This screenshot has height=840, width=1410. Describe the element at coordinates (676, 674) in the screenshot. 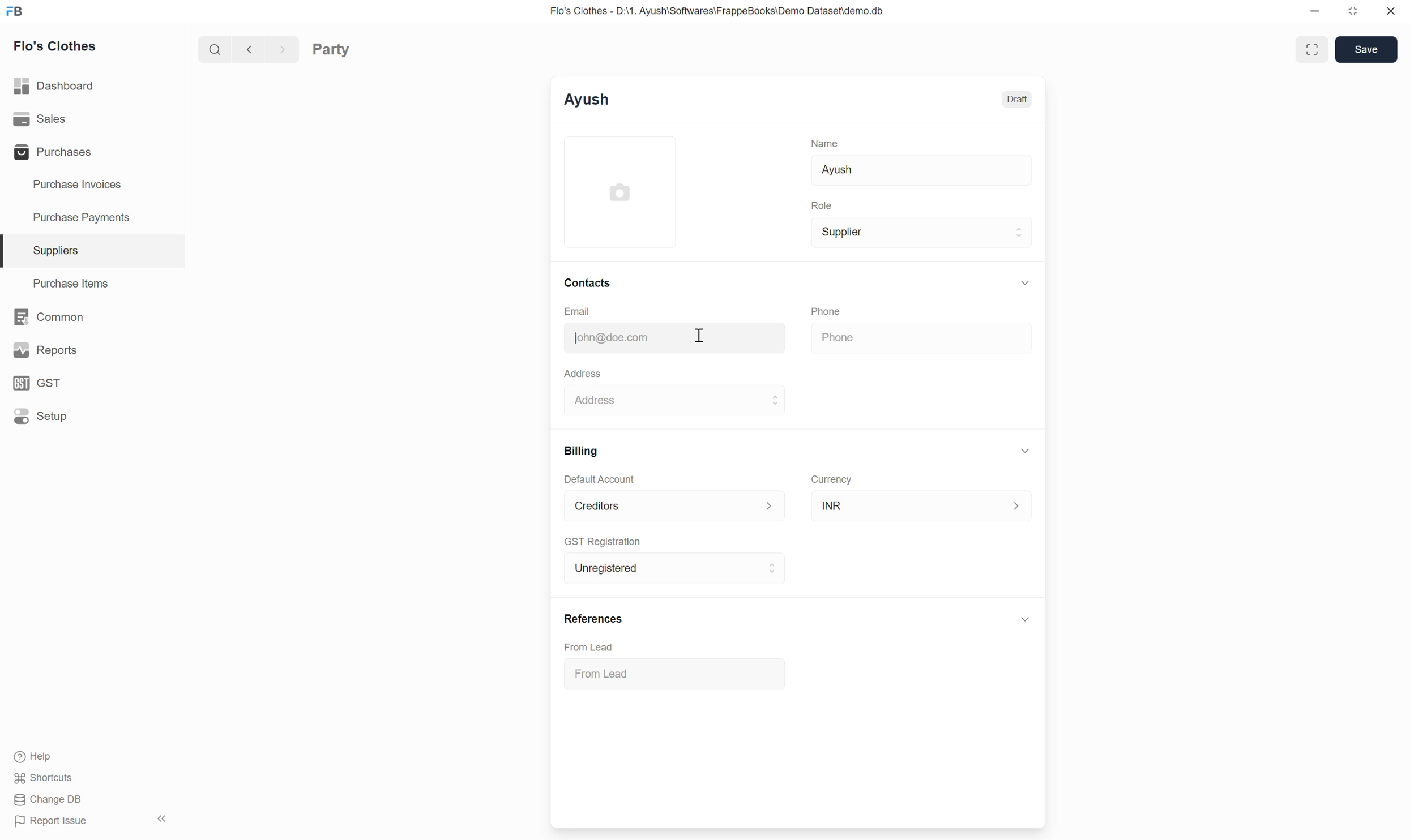

I see `From Lead` at that location.